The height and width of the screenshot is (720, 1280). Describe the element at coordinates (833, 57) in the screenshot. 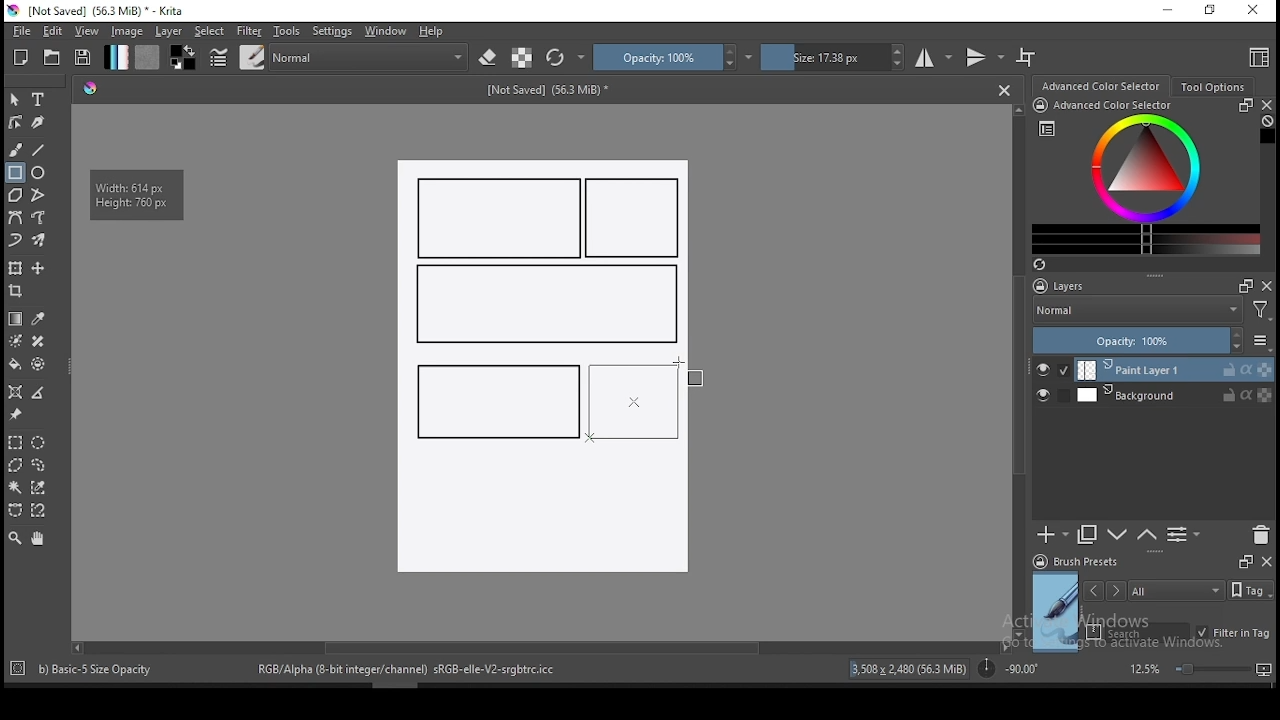

I see `size` at that location.